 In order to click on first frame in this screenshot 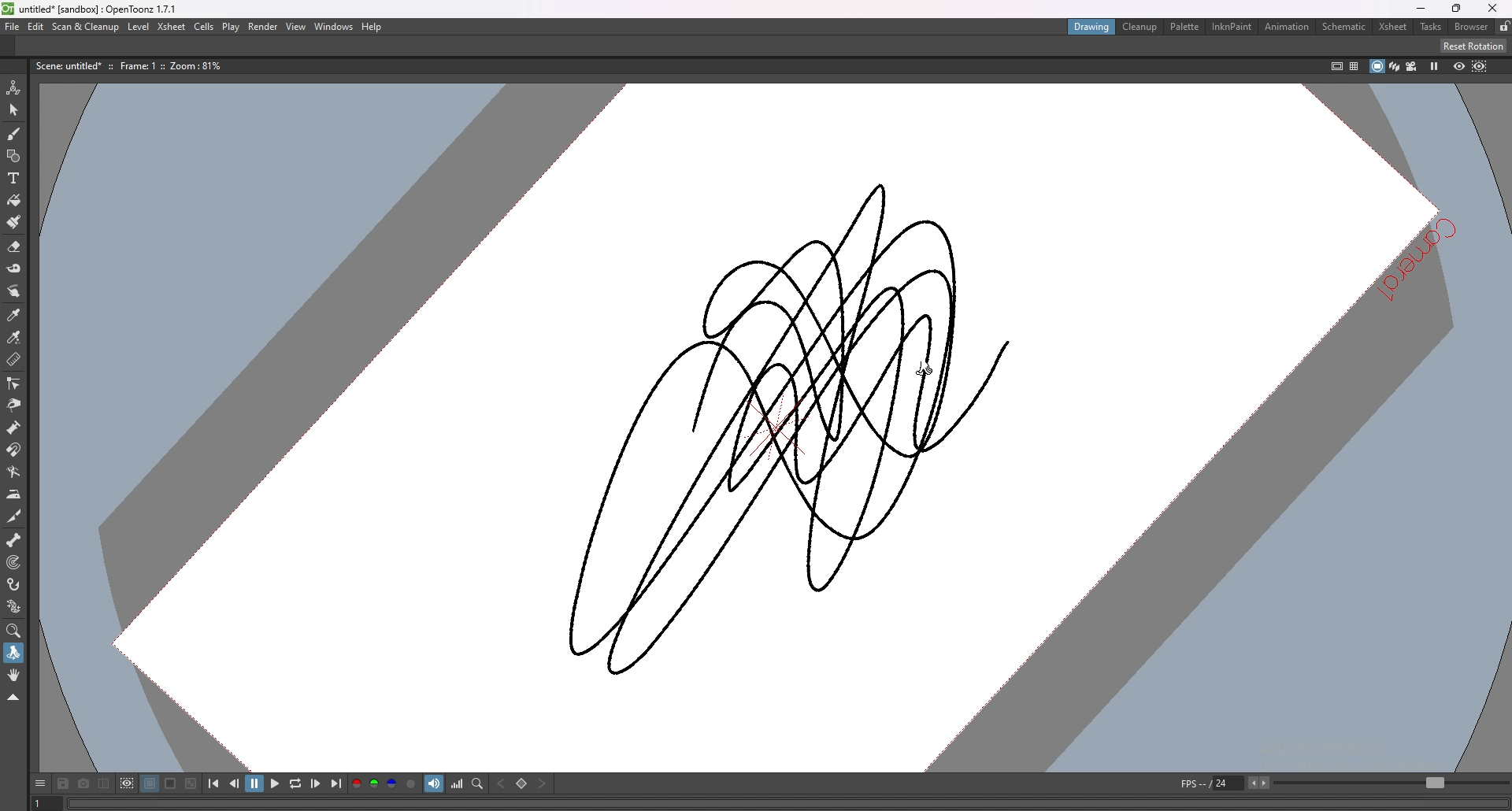, I will do `click(215, 784)`.